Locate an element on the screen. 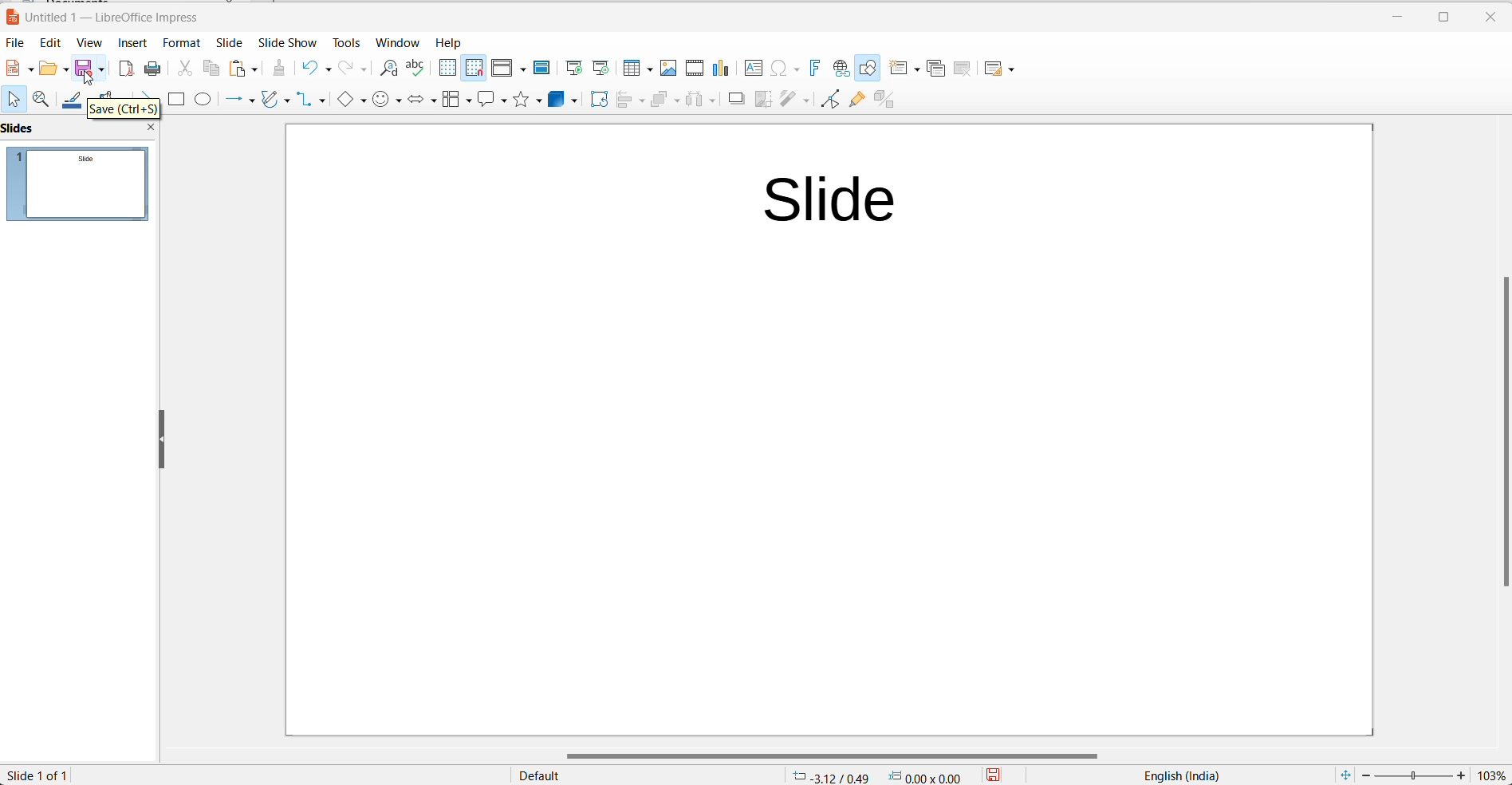 This screenshot has width=1512, height=785. Copy is located at coordinates (207, 71).